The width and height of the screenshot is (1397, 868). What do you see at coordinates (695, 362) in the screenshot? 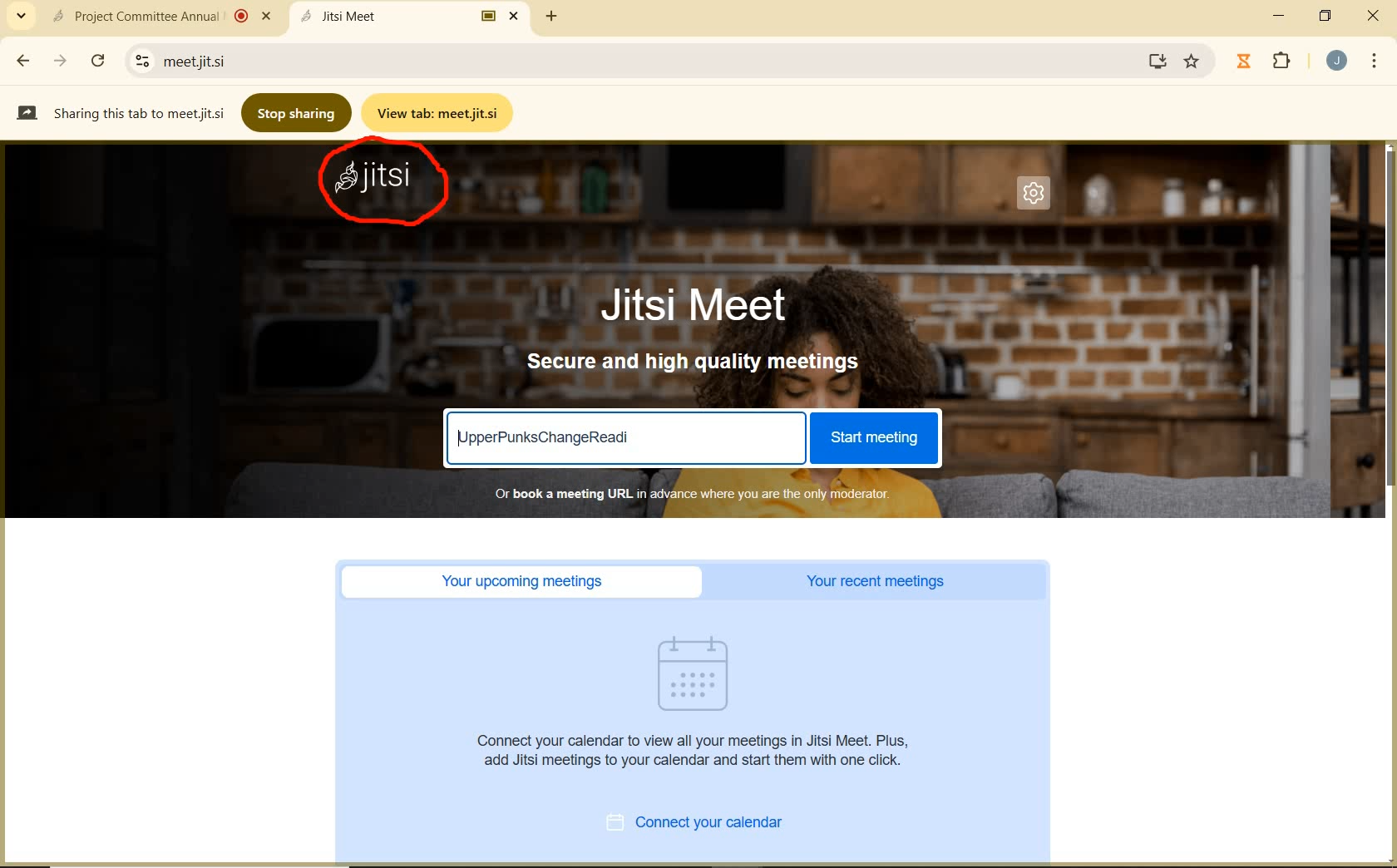
I see `SECURE AND HIGH QUALITY MEETINGS` at bounding box center [695, 362].